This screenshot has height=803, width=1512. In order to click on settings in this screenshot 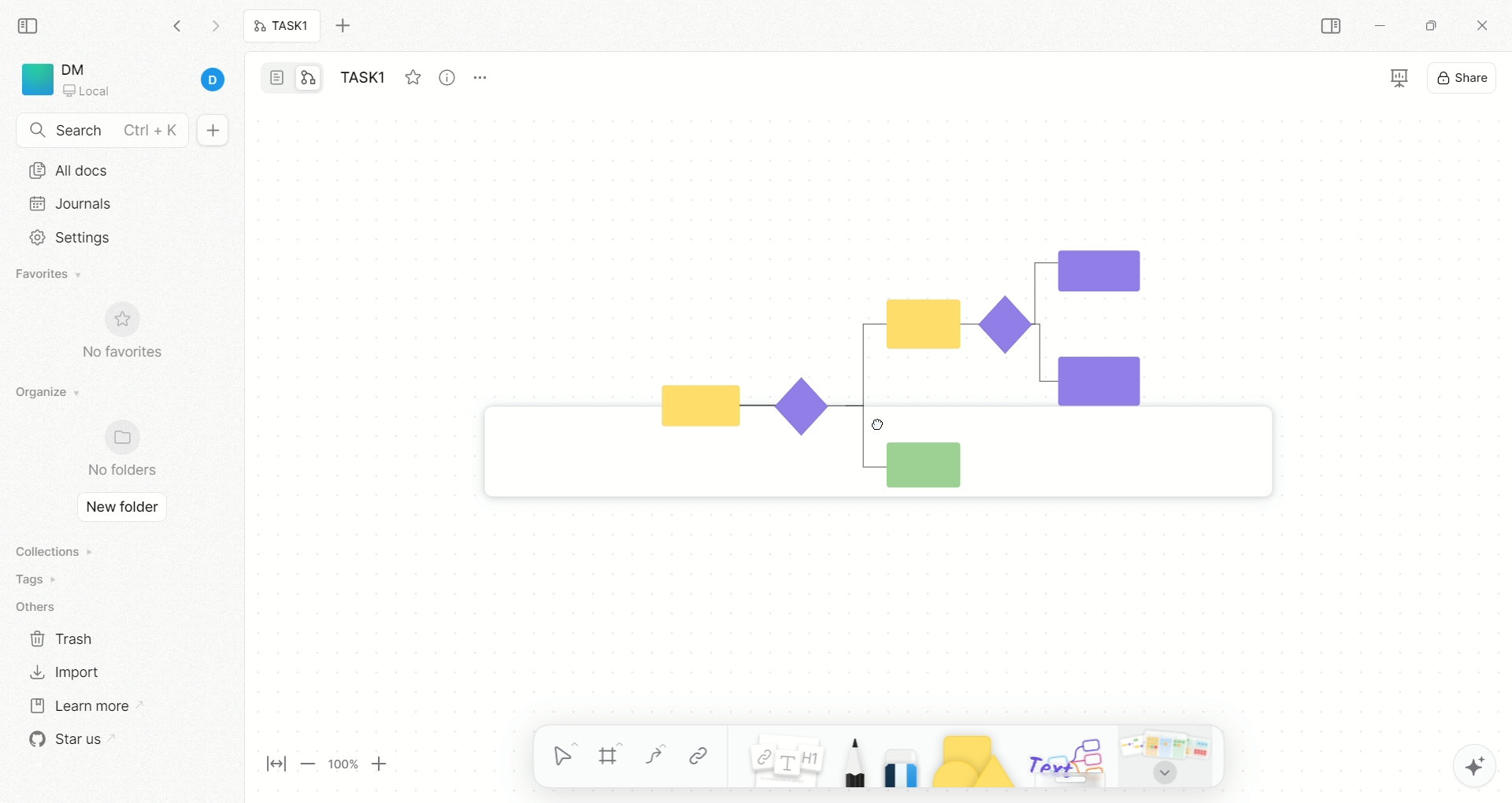, I will do `click(65, 238)`.